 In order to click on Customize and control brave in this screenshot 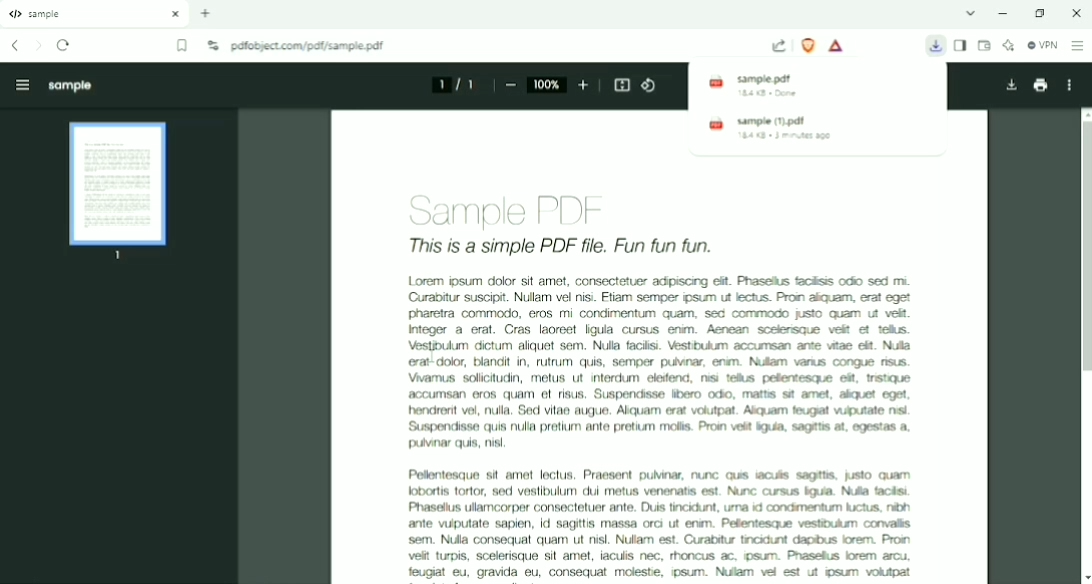, I will do `click(1078, 46)`.